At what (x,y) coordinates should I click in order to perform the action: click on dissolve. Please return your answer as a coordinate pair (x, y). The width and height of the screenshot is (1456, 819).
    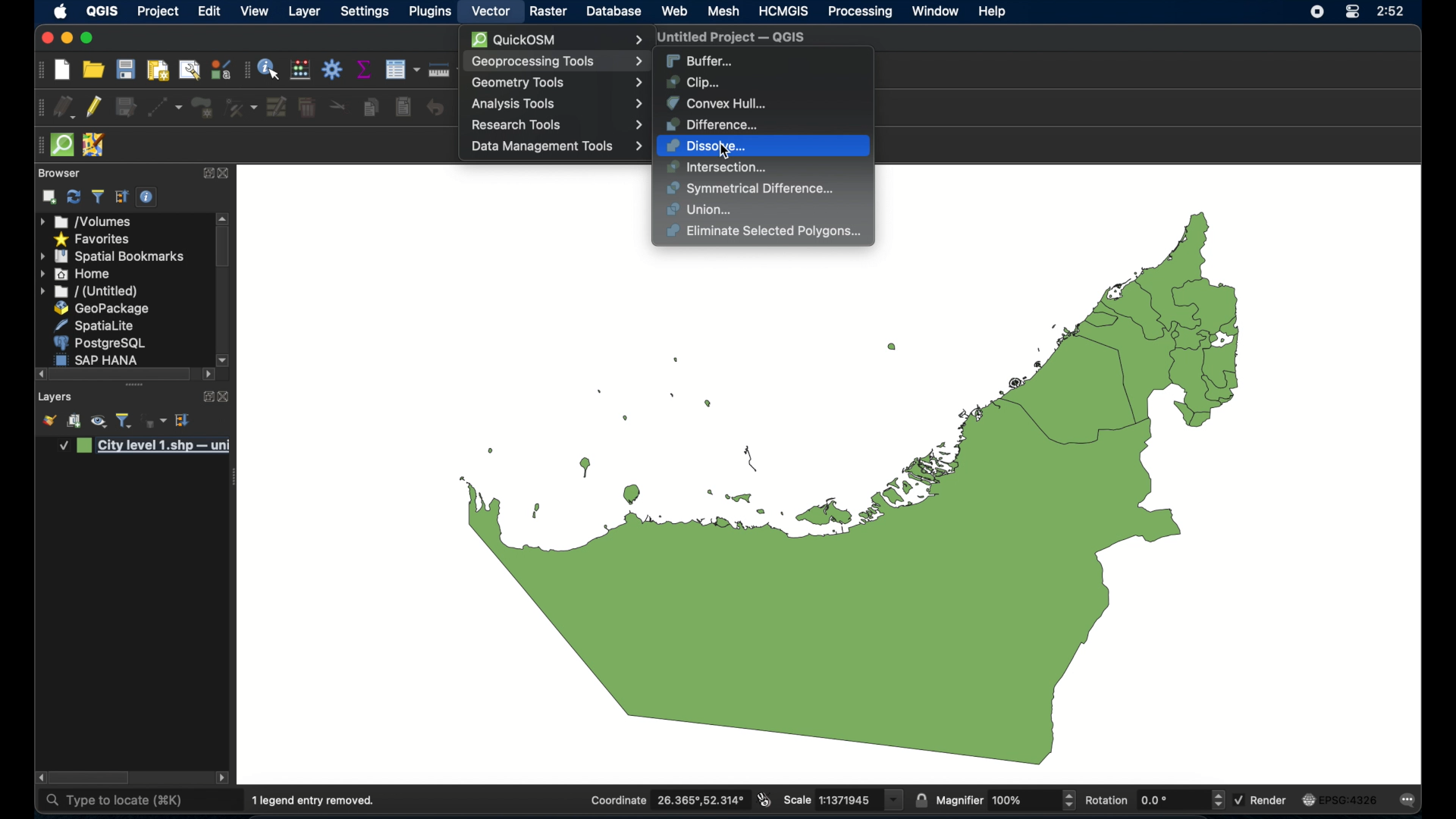
    Looking at the image, I should click on (711, 146).